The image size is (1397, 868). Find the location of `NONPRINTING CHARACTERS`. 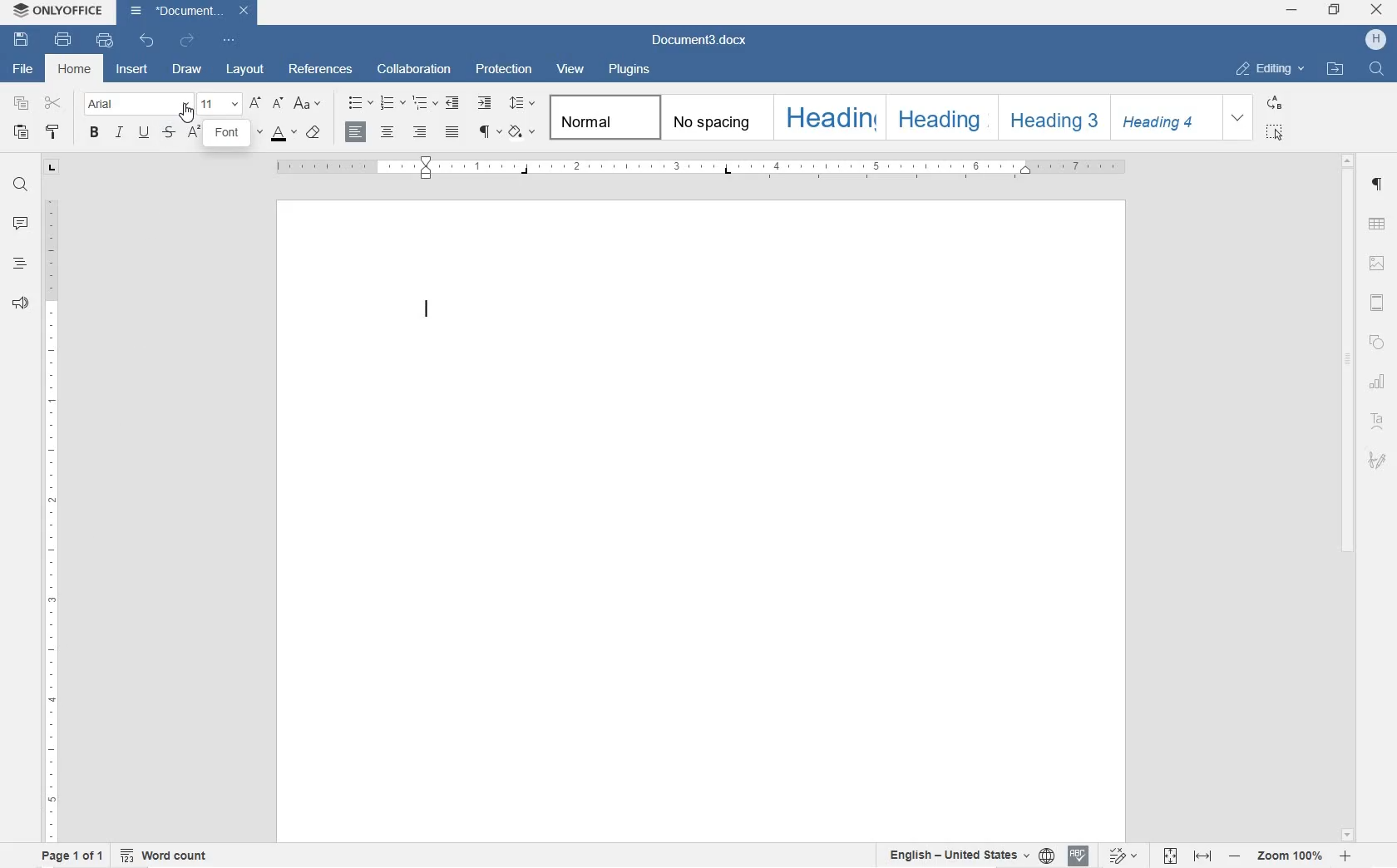

NONPRINTING CHARACTERS is located at coordinates (490, 131).